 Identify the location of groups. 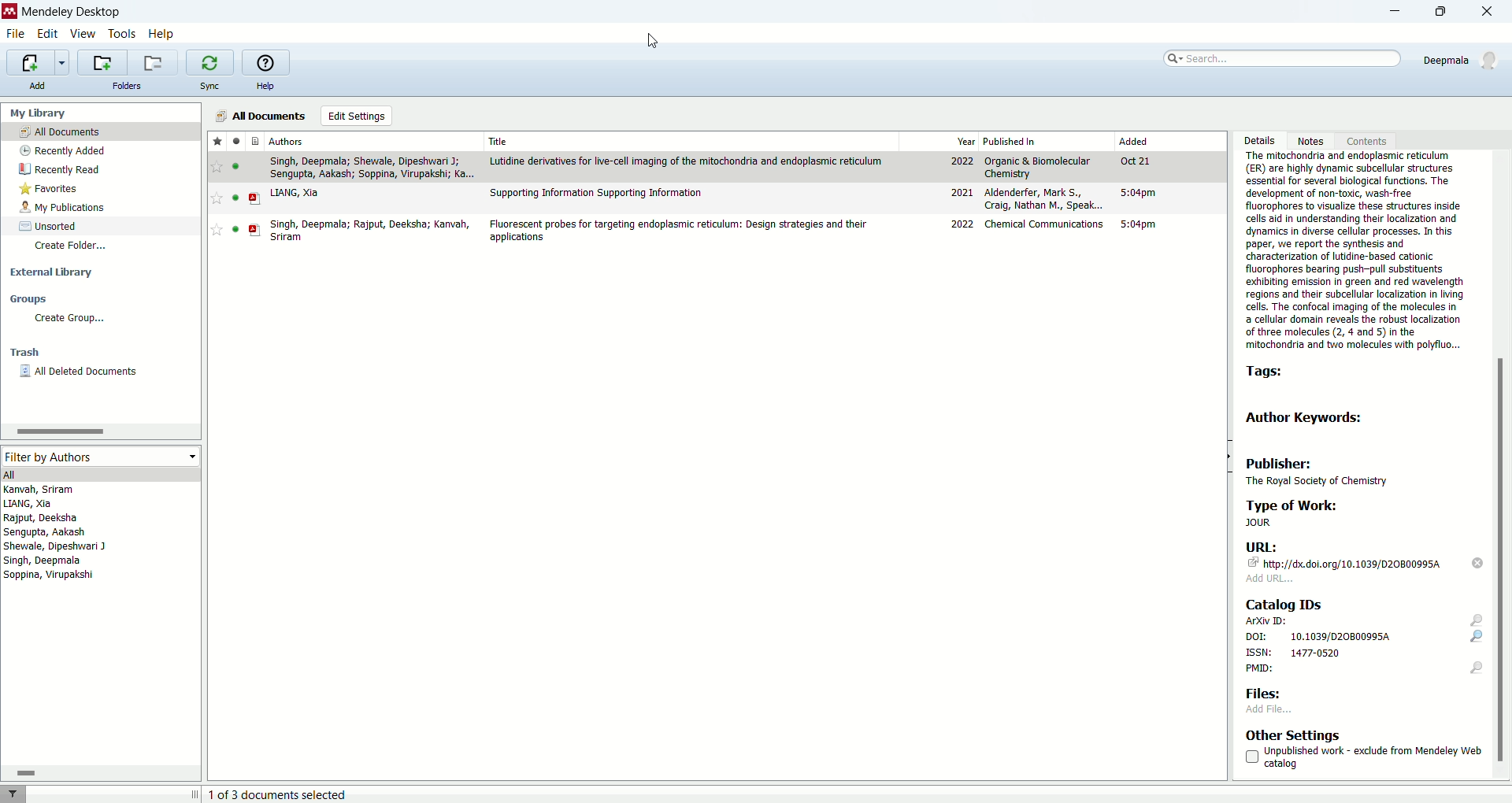
(28, 298).